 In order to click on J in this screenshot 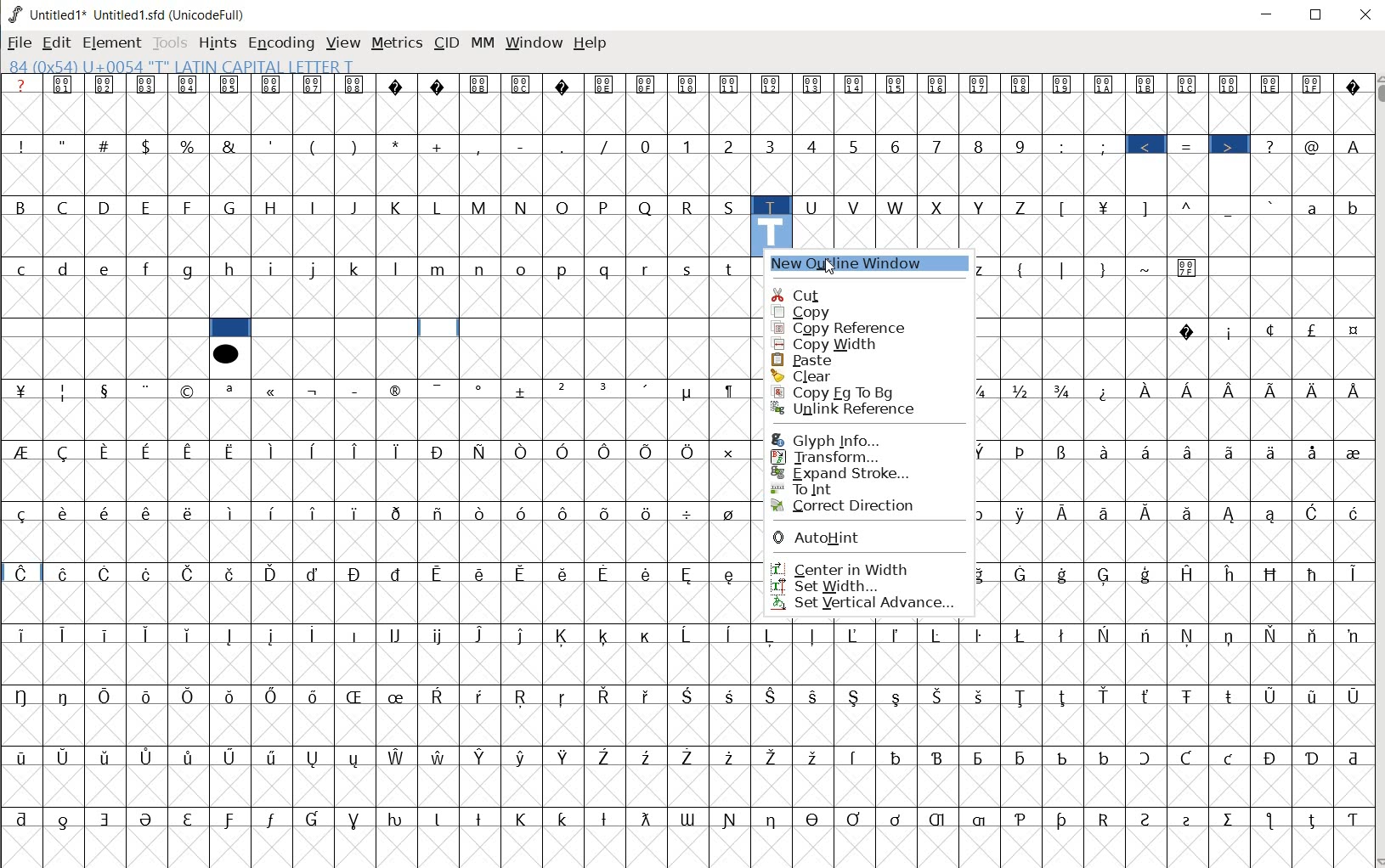, I will do `click(356, 207)`.